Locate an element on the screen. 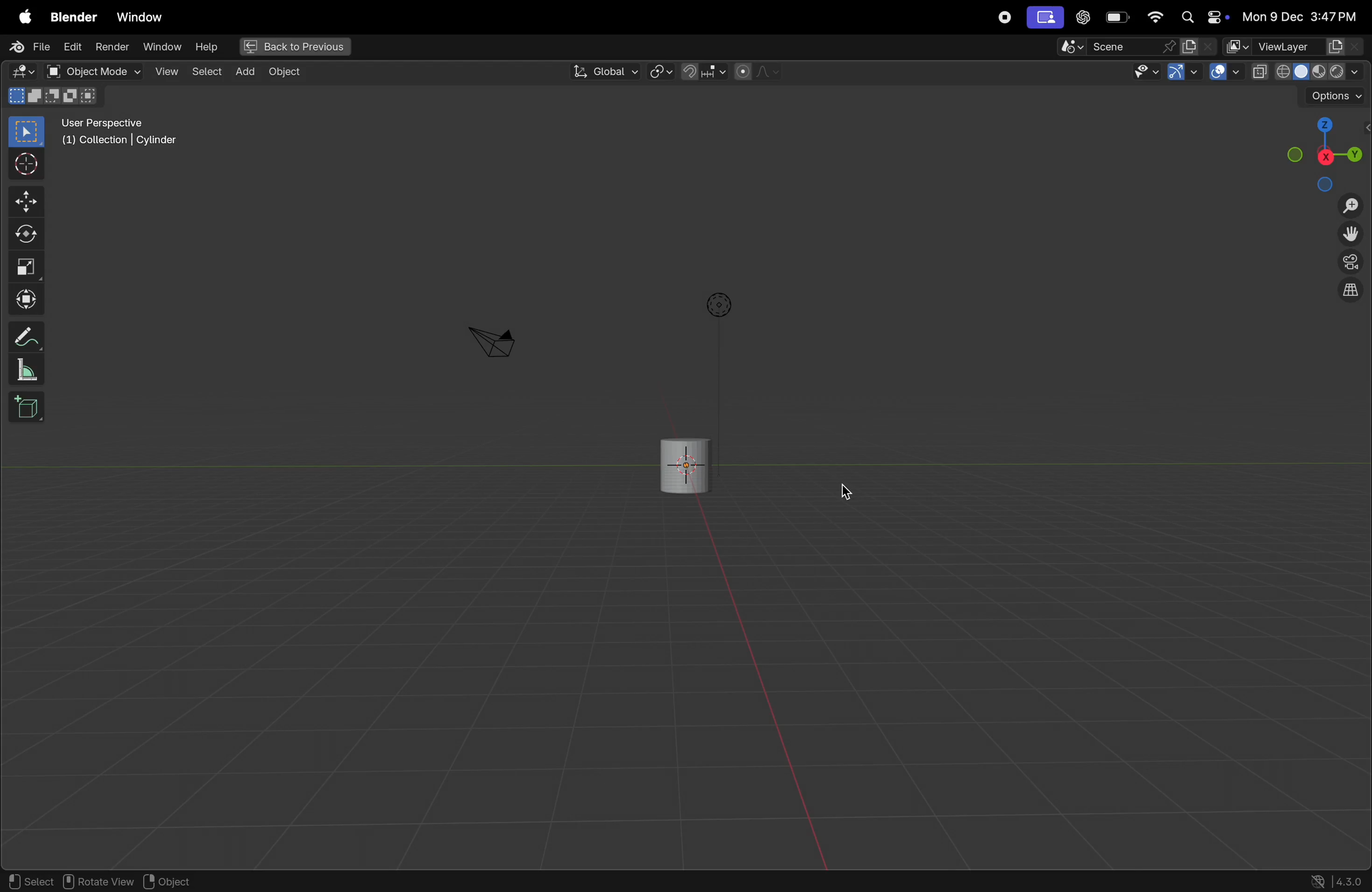 The width and height of the screenshot is (1372, 892). zoom in is located at coordinates (1350, 206).